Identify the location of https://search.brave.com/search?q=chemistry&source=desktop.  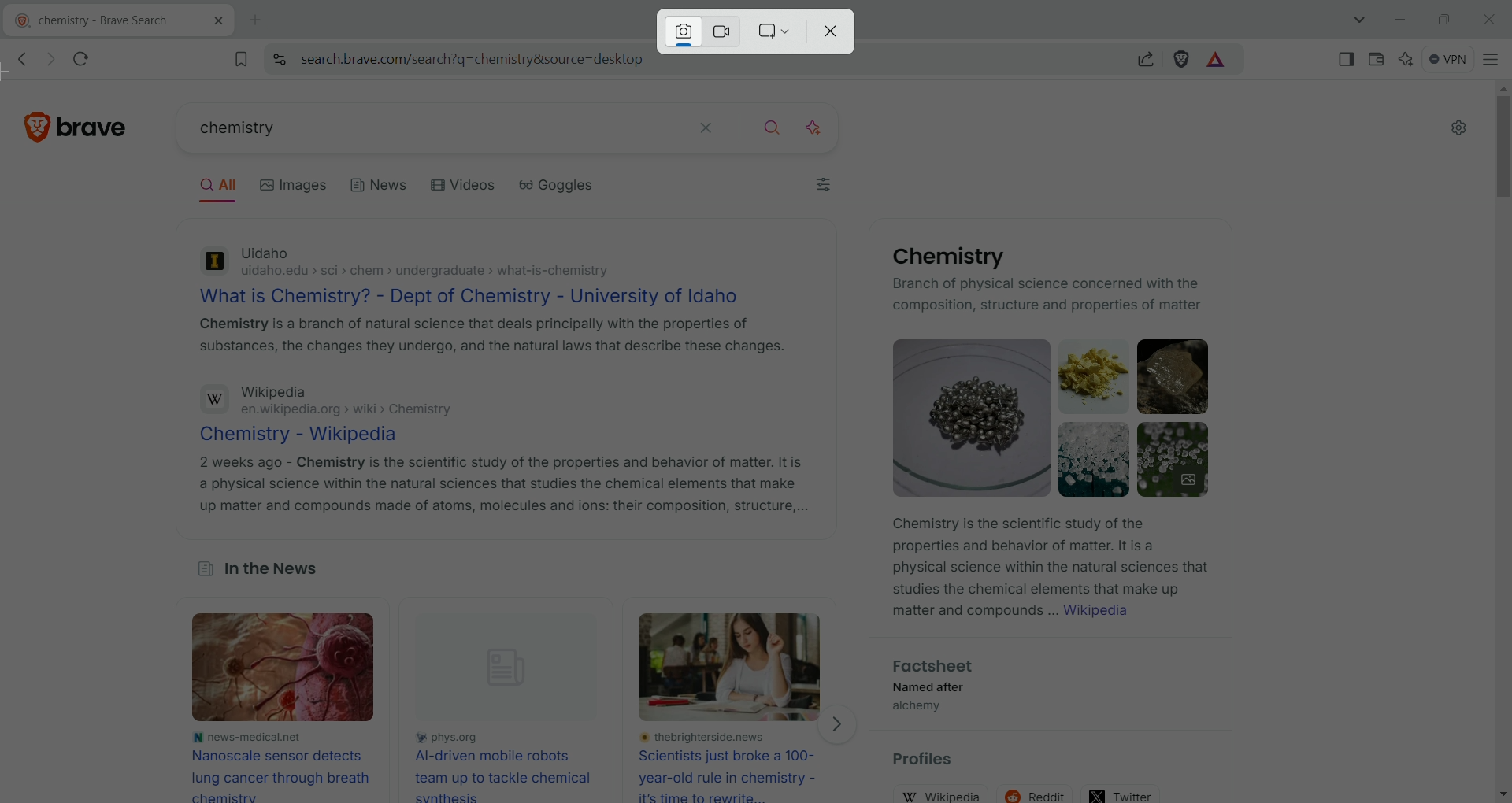
(472, 60).